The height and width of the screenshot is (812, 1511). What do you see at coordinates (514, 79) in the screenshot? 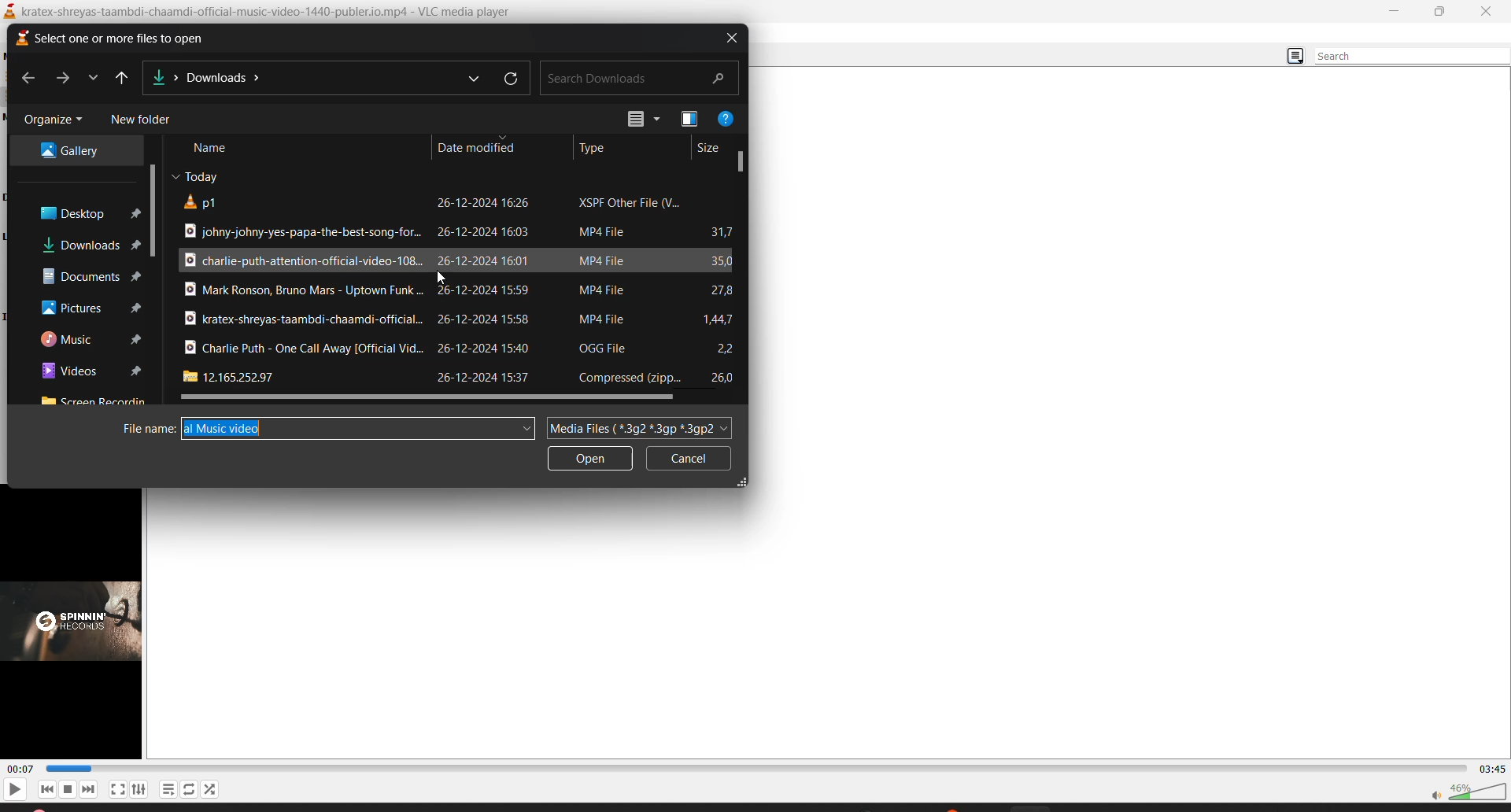
I see `refresh` at bounding box center [514, 79].